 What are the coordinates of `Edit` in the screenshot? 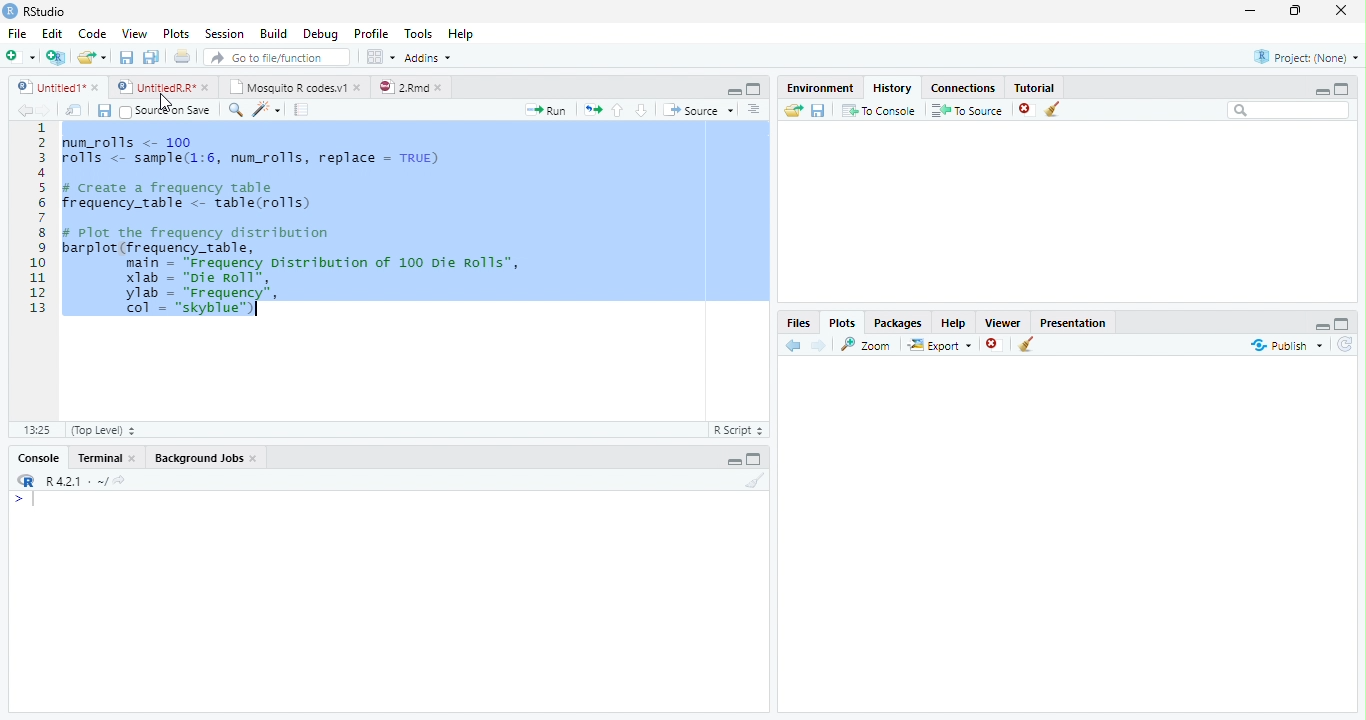 It's located at (53, 31).